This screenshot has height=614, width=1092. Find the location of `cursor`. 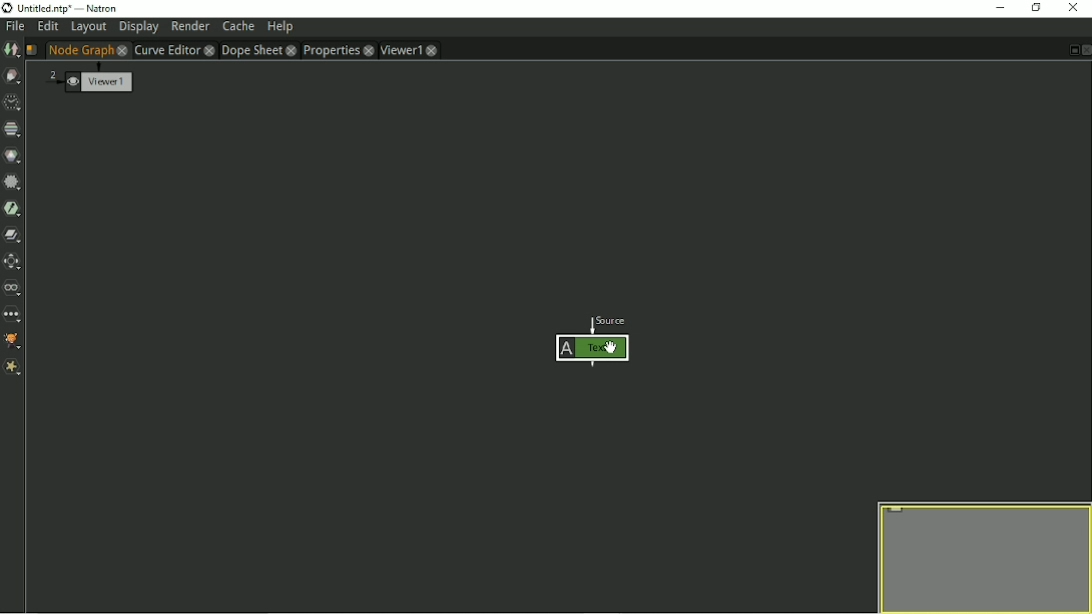

cursor is located at coordinates (611, 346).